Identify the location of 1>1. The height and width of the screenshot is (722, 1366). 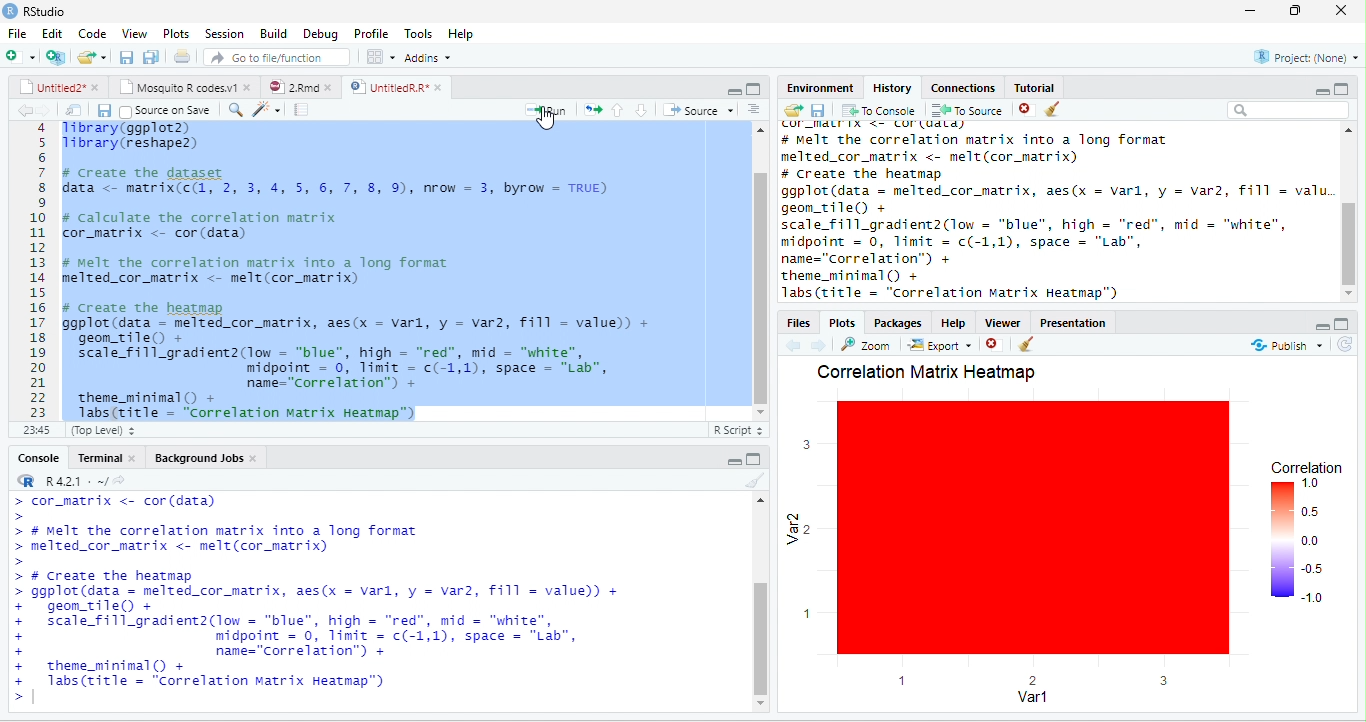
(35, 429).